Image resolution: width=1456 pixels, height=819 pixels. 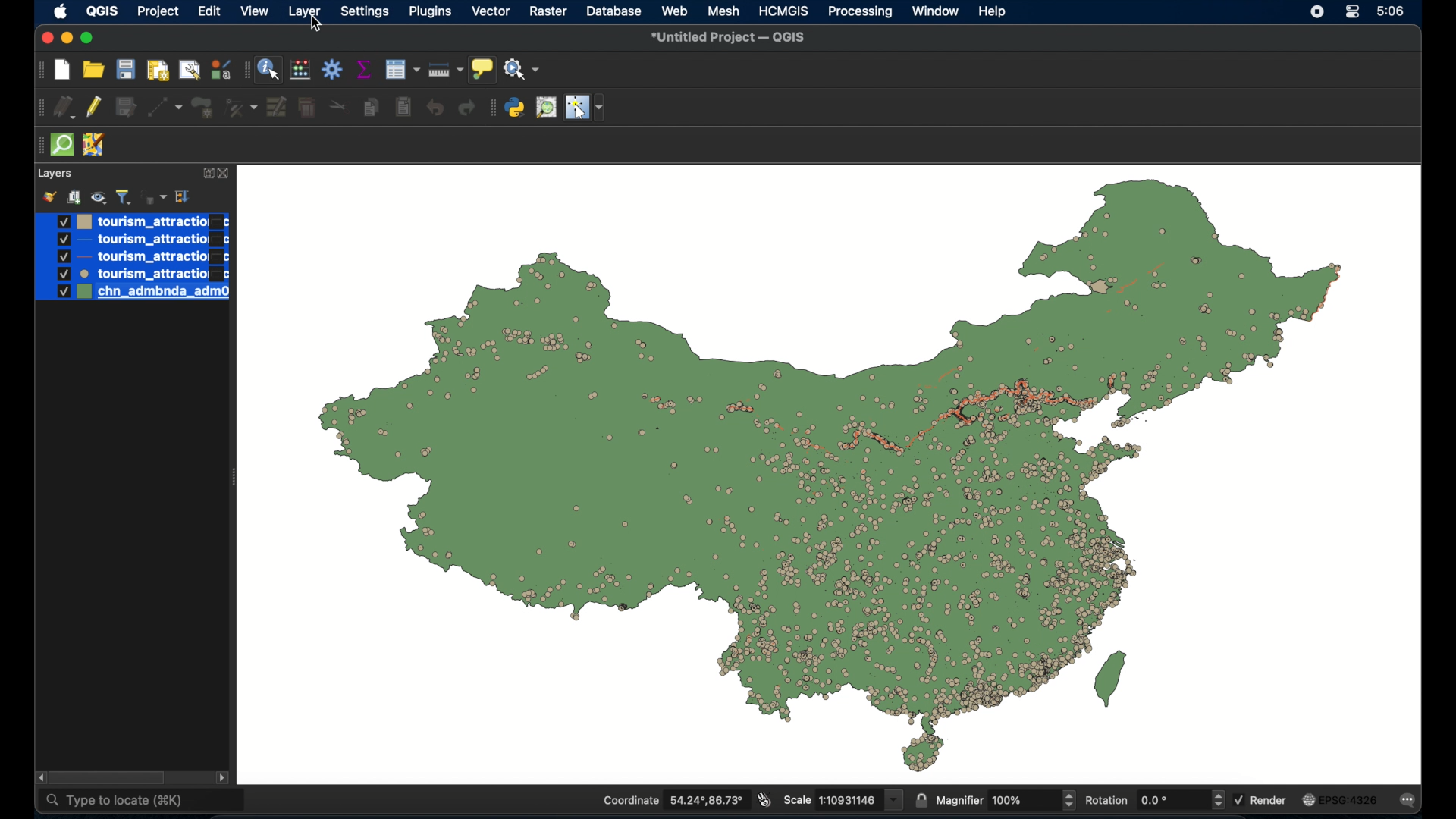 What do you see at coordinates (1341, 799) in the screenshot?
I see `current crs` at bounding box center [1341, 799].